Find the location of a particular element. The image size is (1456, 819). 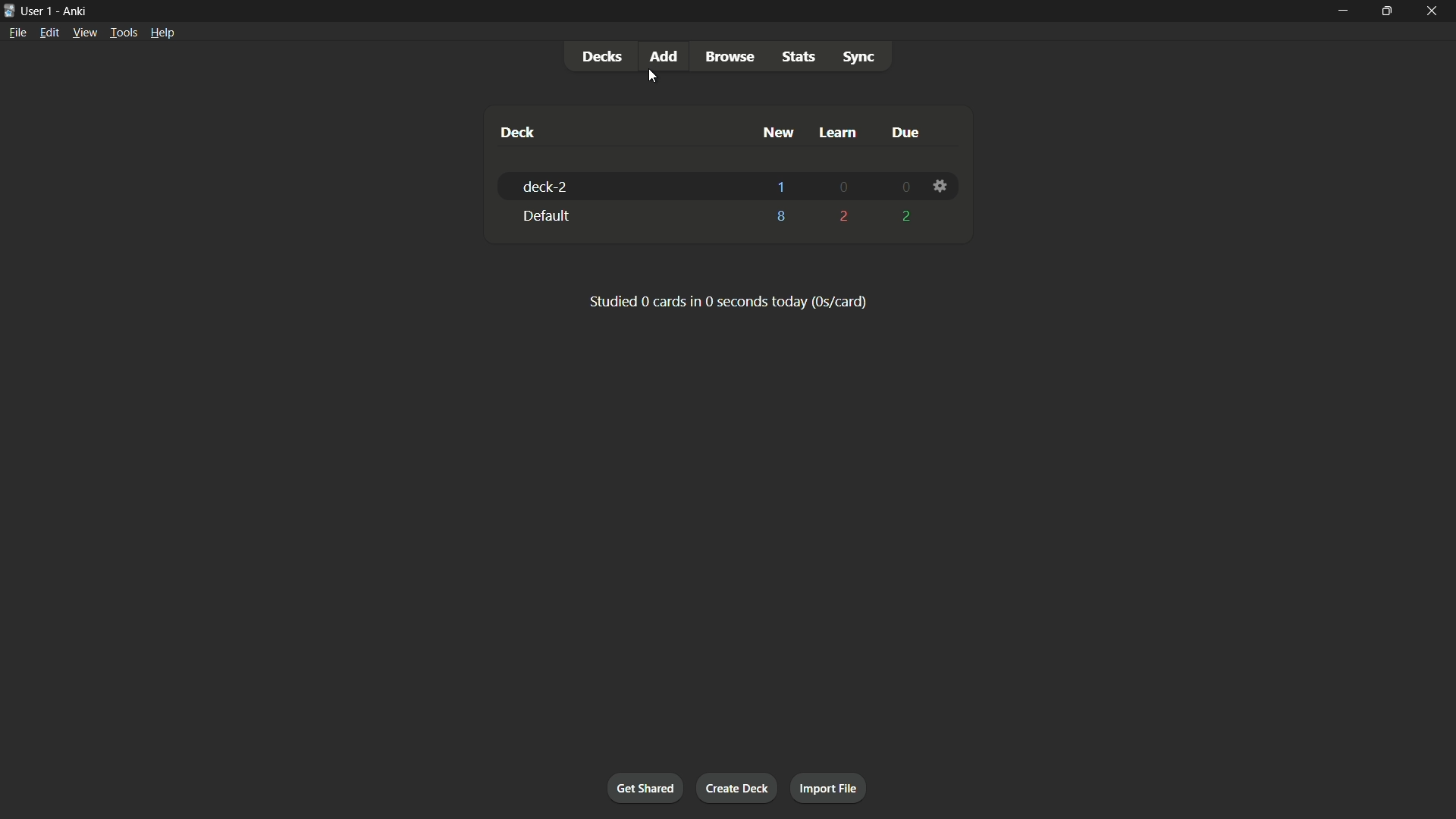

import file is located at coordinates (830, 789).